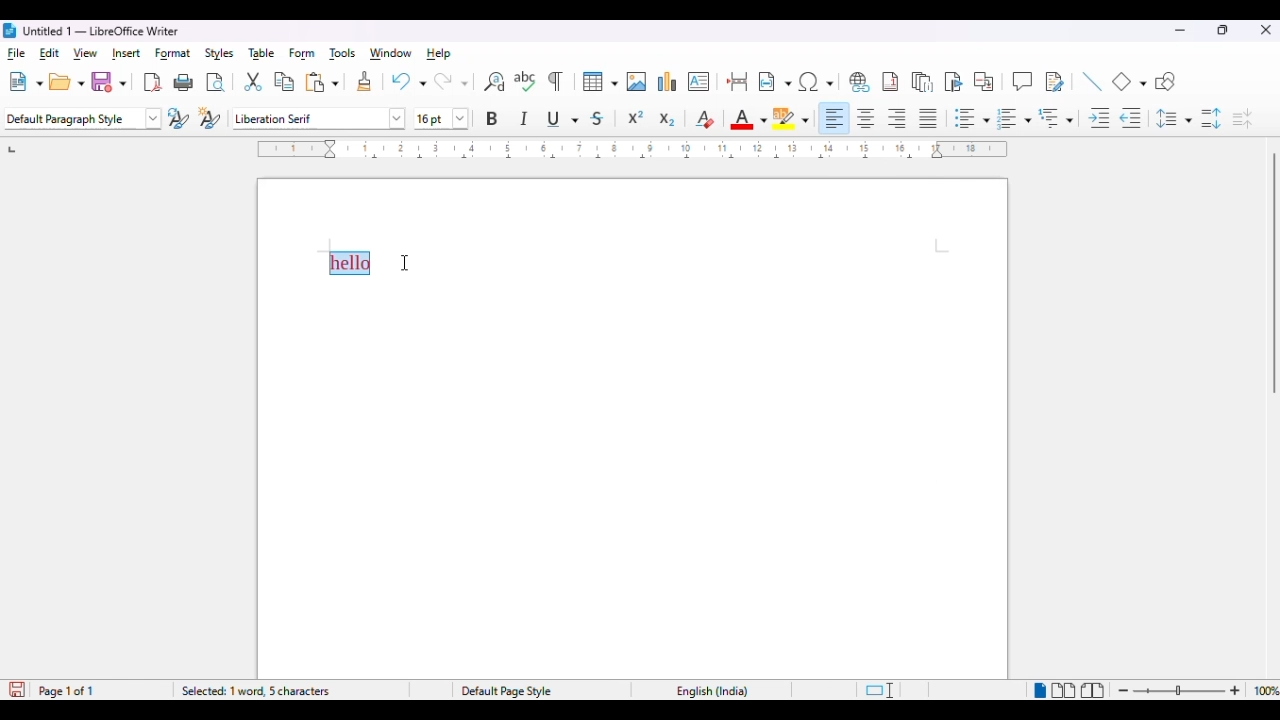 The image size is (1280, 720). What do you see at coordinates (216, 84) in the screenshot?
I see `toggle print preview` at bounding box center [216, 84].